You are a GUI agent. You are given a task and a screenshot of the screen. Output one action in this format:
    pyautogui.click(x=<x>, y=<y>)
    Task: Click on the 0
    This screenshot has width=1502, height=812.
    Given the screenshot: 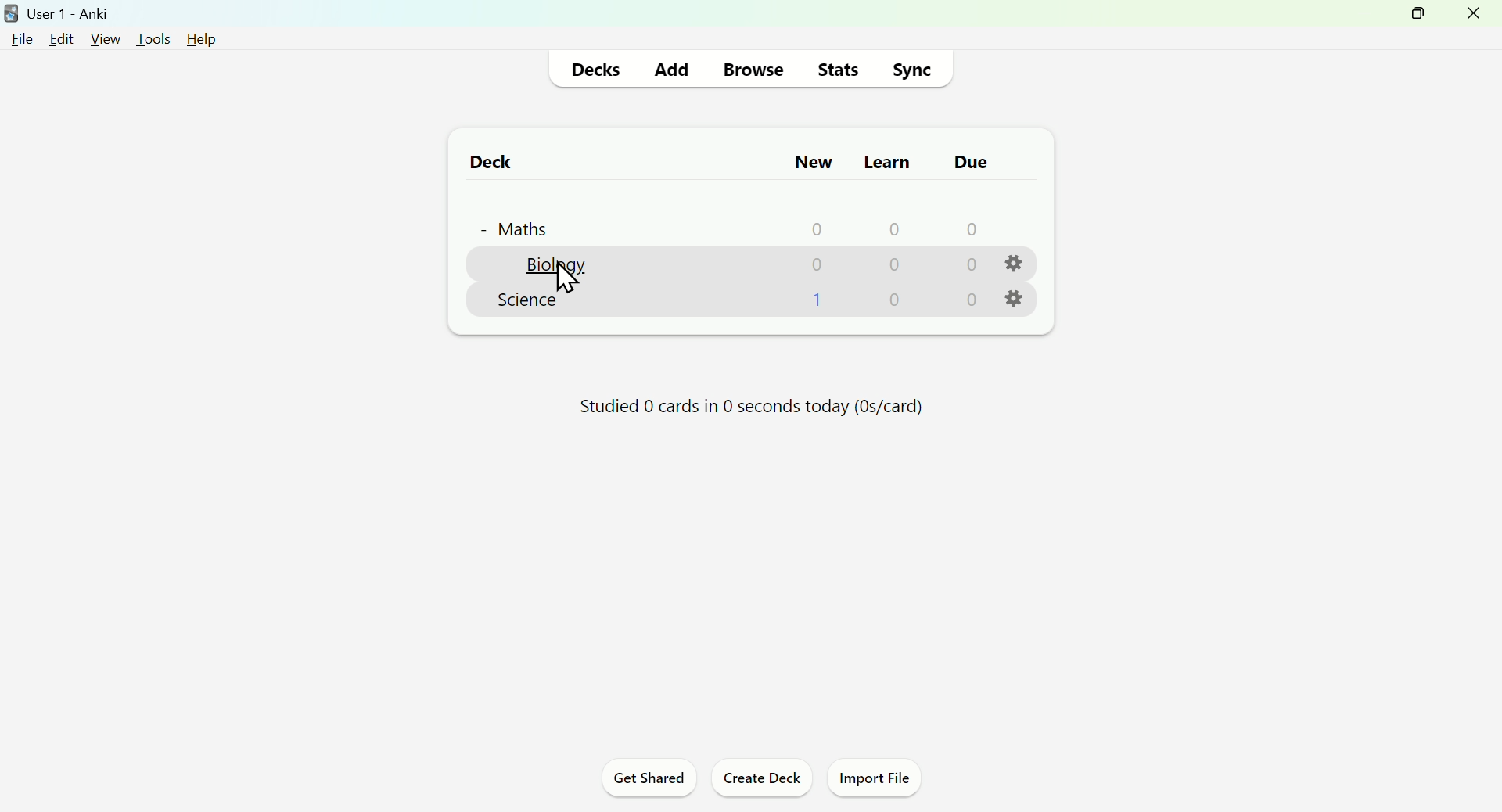 What is the action you would take?
    pyautogui.click(x=972, y=303)
    